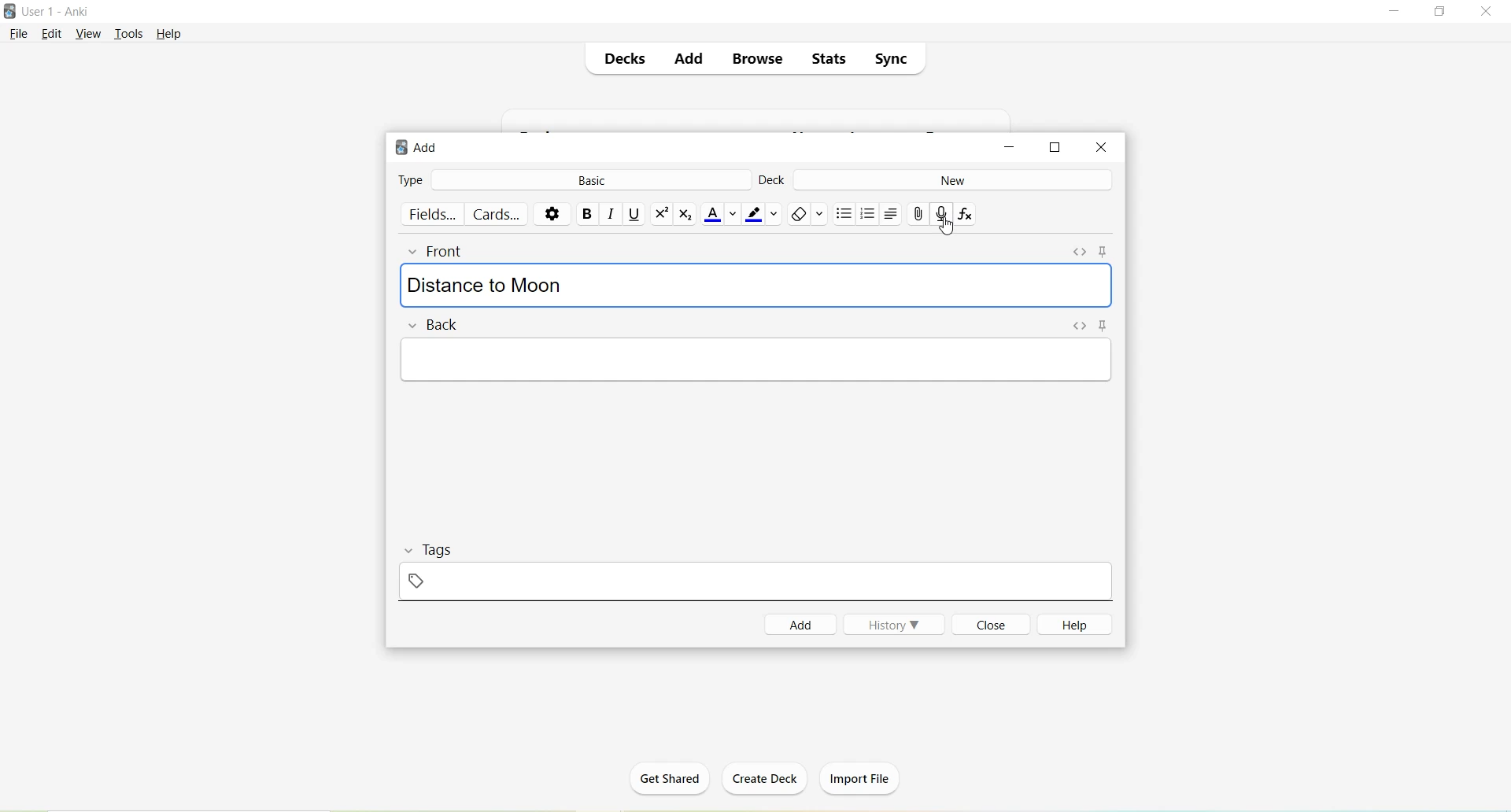 This screenshot has width=1511, height=812. What do you see at coordinates (1080, 253) in the screenshot?
I see `Toggle HTML Editor` at bounding box center [1080, 253].